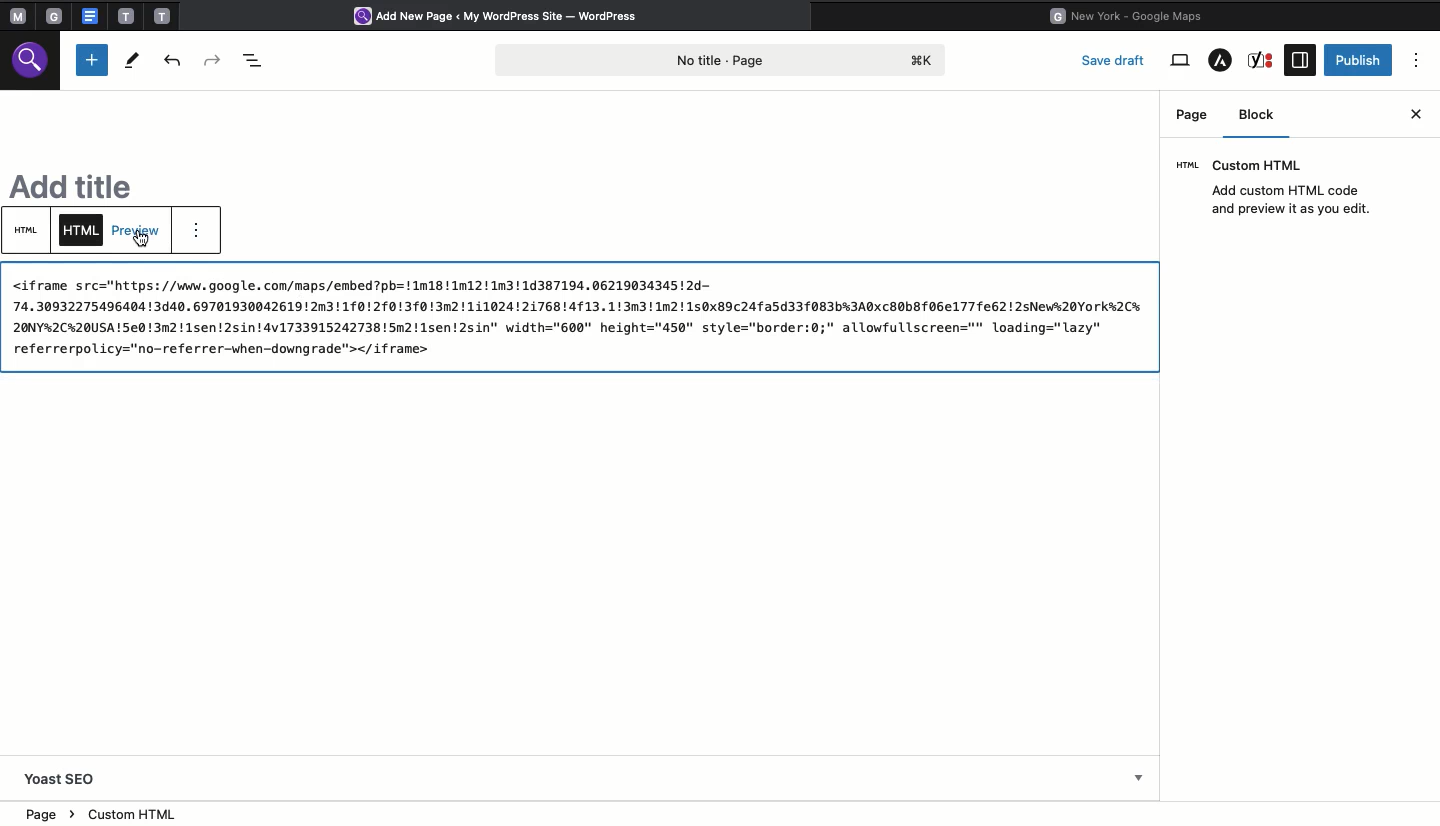 The height and width of the screenshot is (826, 1440). Describe the element at coordinates (253, 58) in the screenshot. I see `Document overview` at that location.